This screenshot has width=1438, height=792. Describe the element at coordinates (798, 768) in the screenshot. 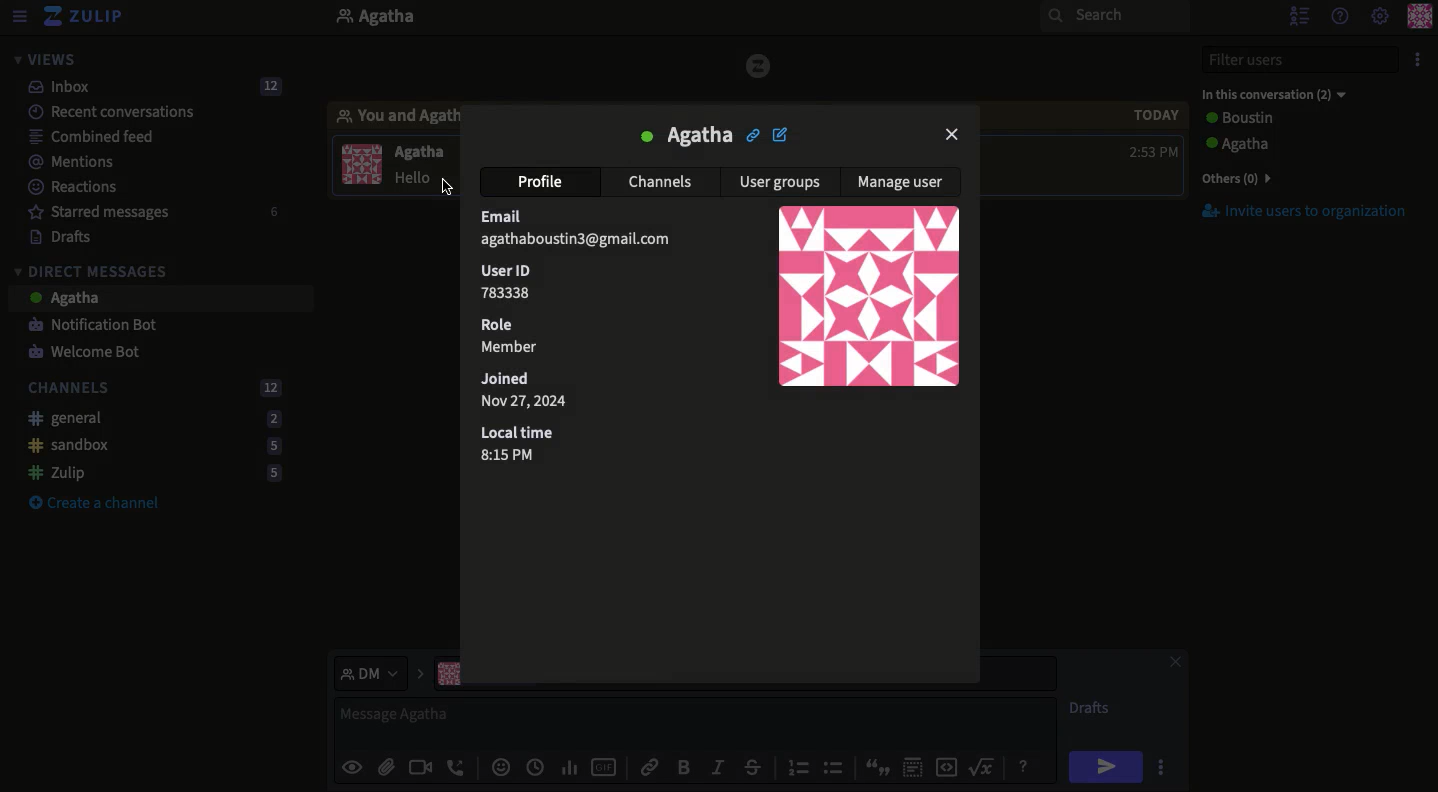

I see `Number bullet` at that location.